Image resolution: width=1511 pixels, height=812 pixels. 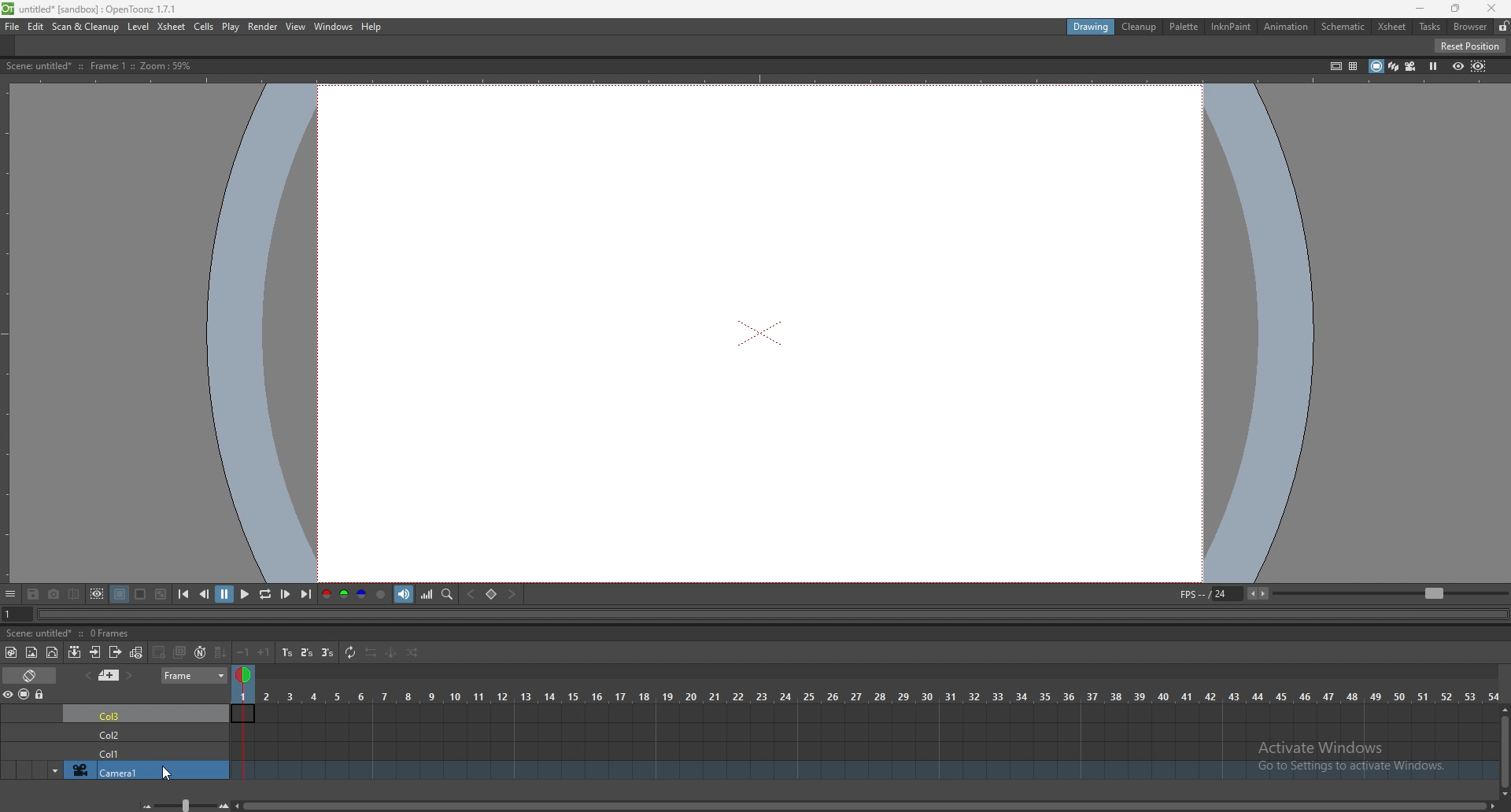 I want to click on column 2, so click(x=146, y=733).